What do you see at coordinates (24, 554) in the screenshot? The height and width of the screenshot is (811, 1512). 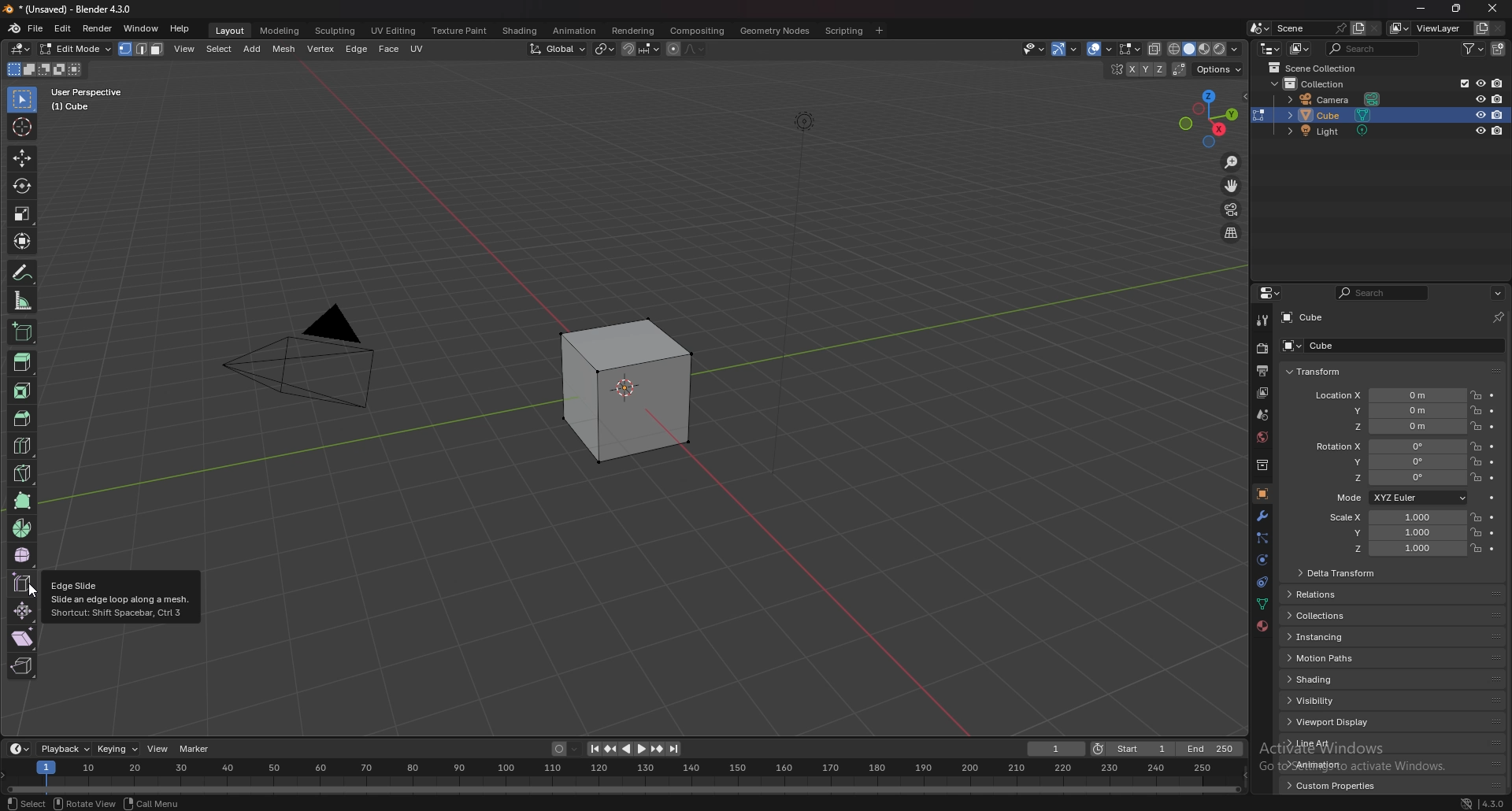 I see `smooth` at bounding box center [24, 554].